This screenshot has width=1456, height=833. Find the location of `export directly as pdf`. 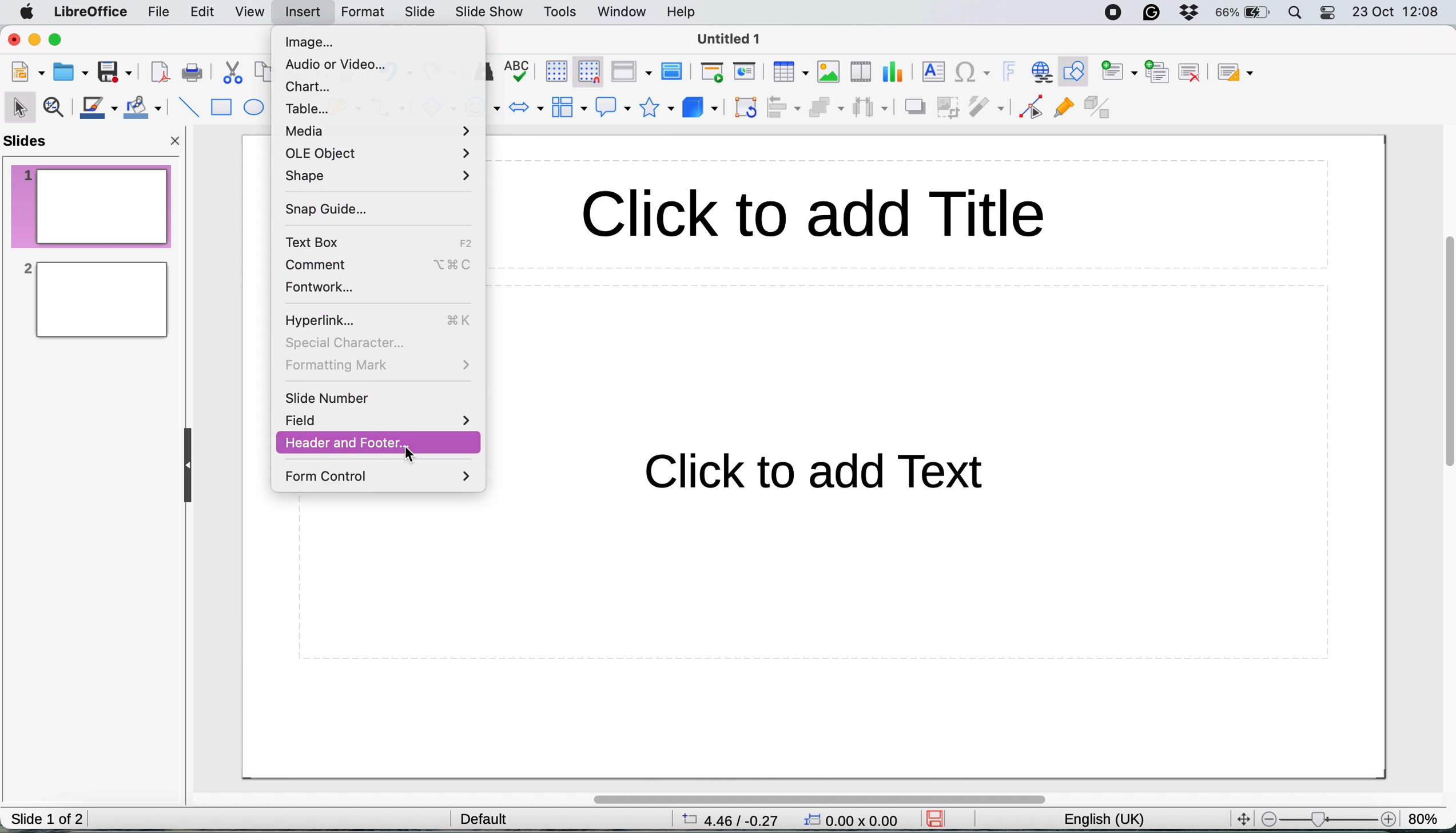

export directly as pdf is located at coordinates (160, 74).